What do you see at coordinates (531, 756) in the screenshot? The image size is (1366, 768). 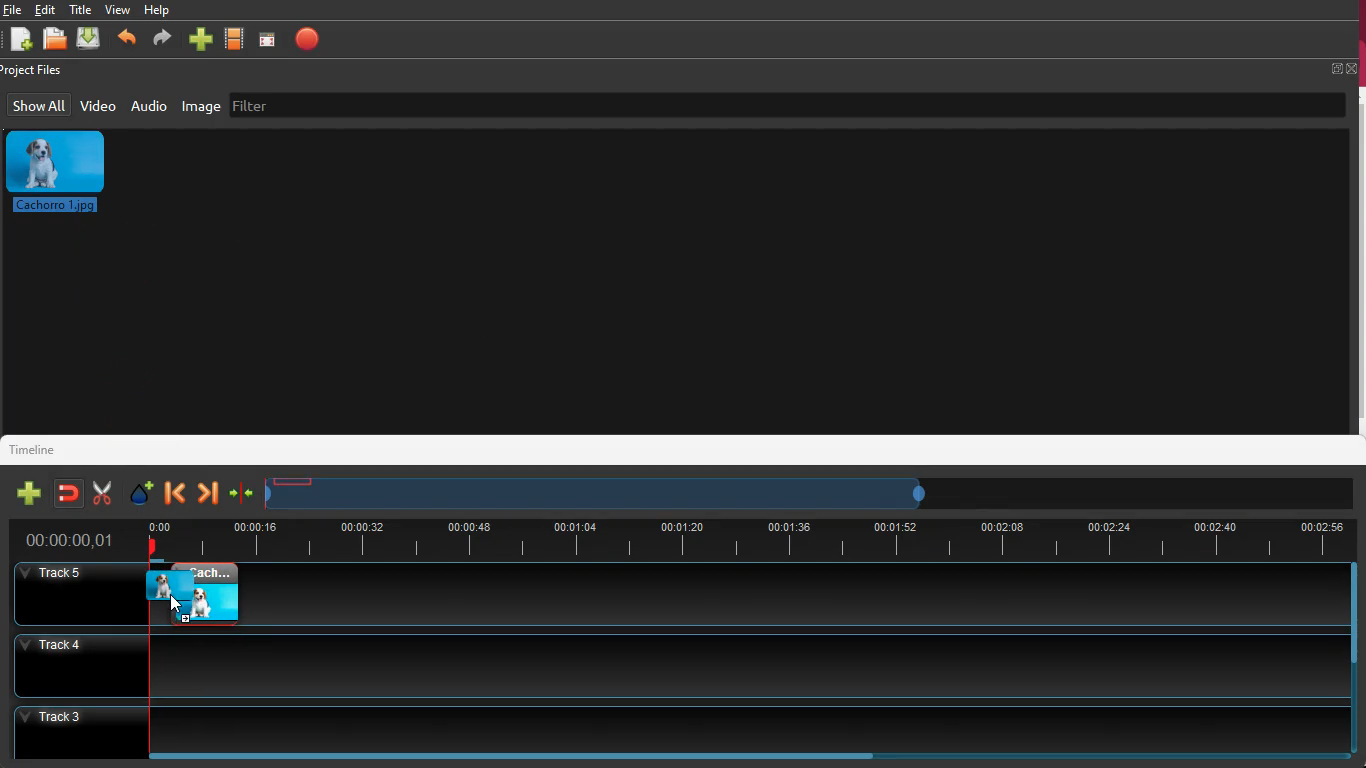 I see `Horizontal scroll bar` at bounding box center [531, 756].